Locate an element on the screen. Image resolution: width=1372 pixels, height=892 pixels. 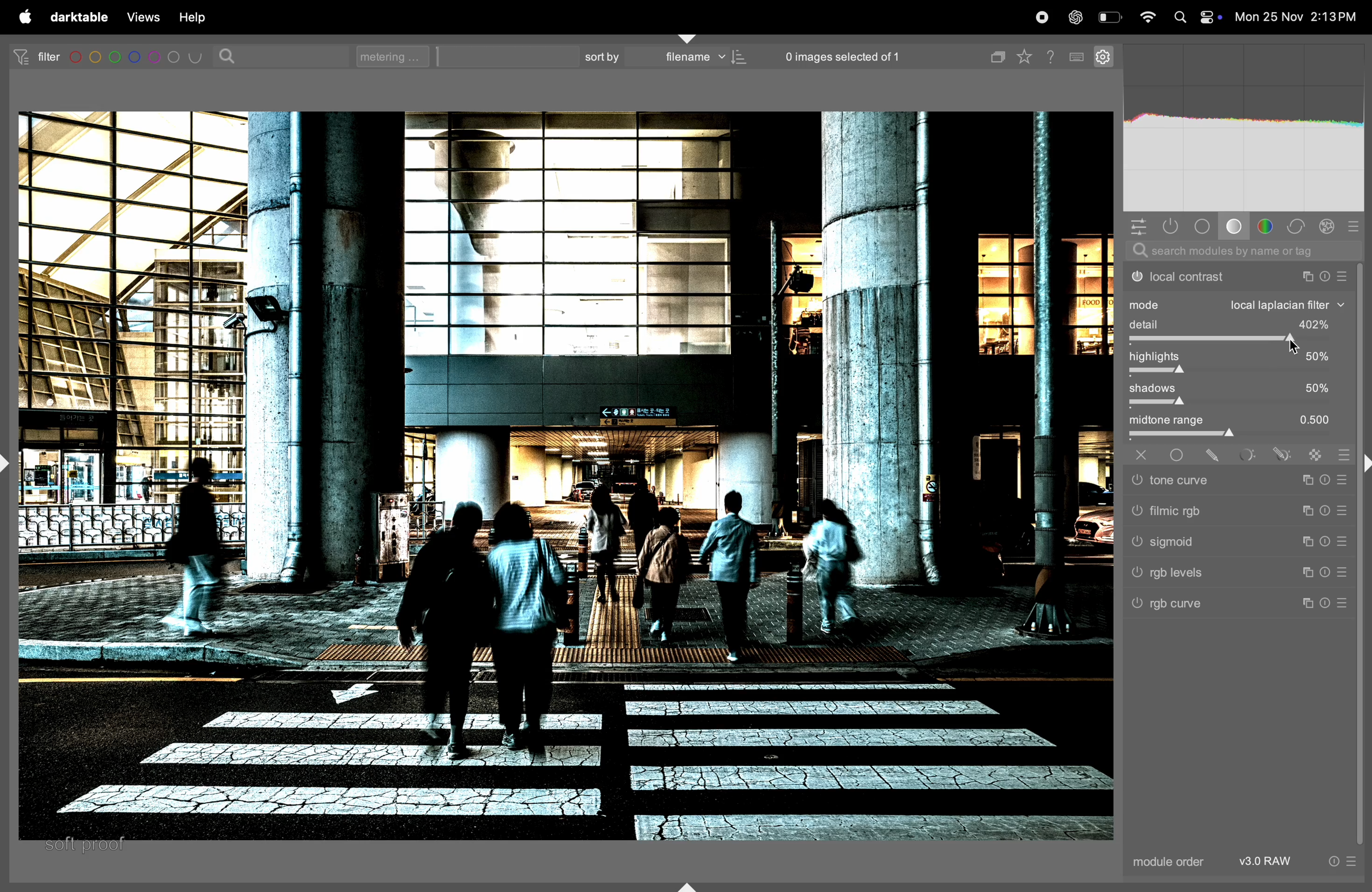
reset is located at coordinates (1326, 603).